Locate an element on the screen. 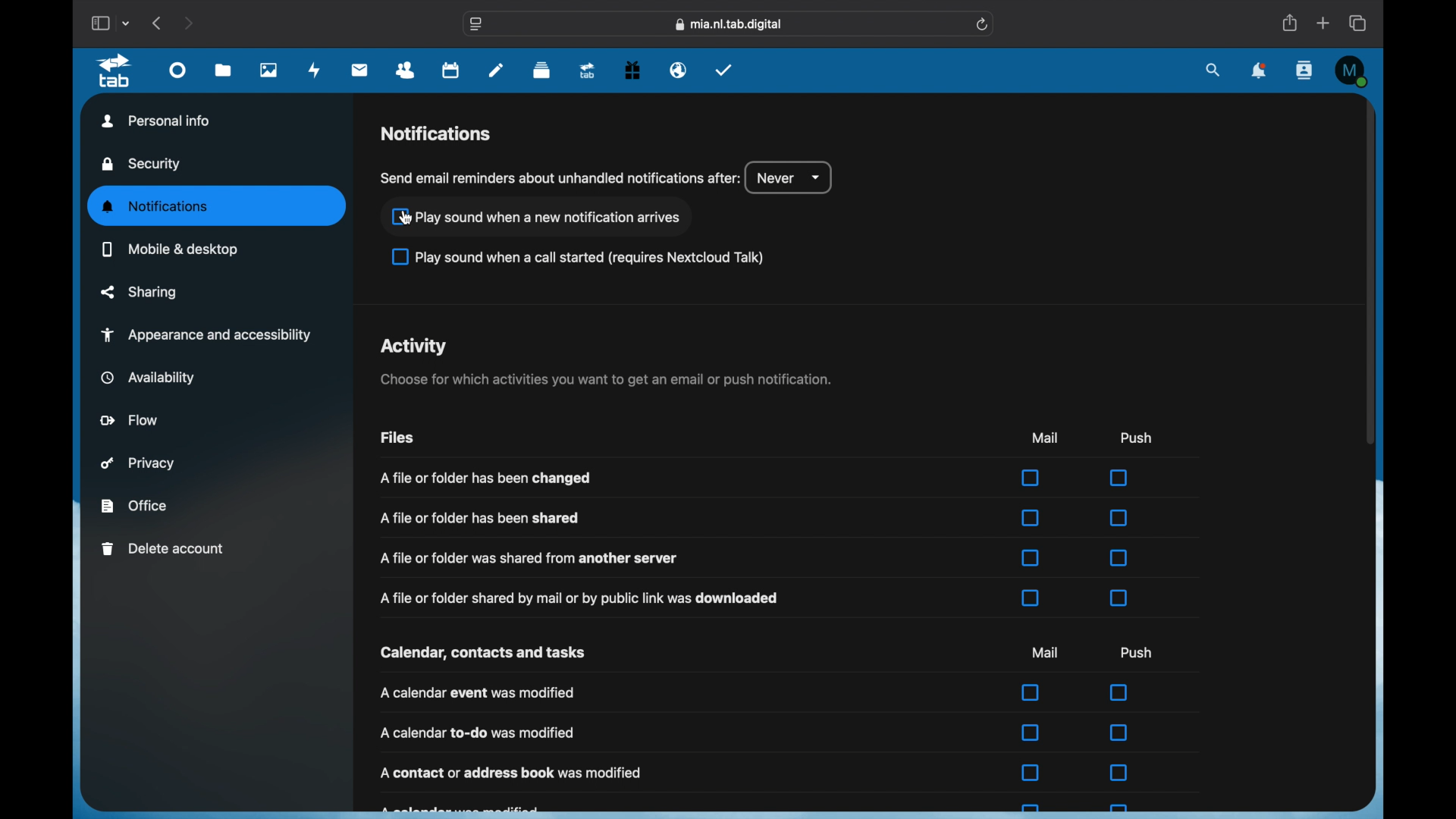 The width and height of the screenshot is (1456, 819). flow is located at coordinates (130, 419).